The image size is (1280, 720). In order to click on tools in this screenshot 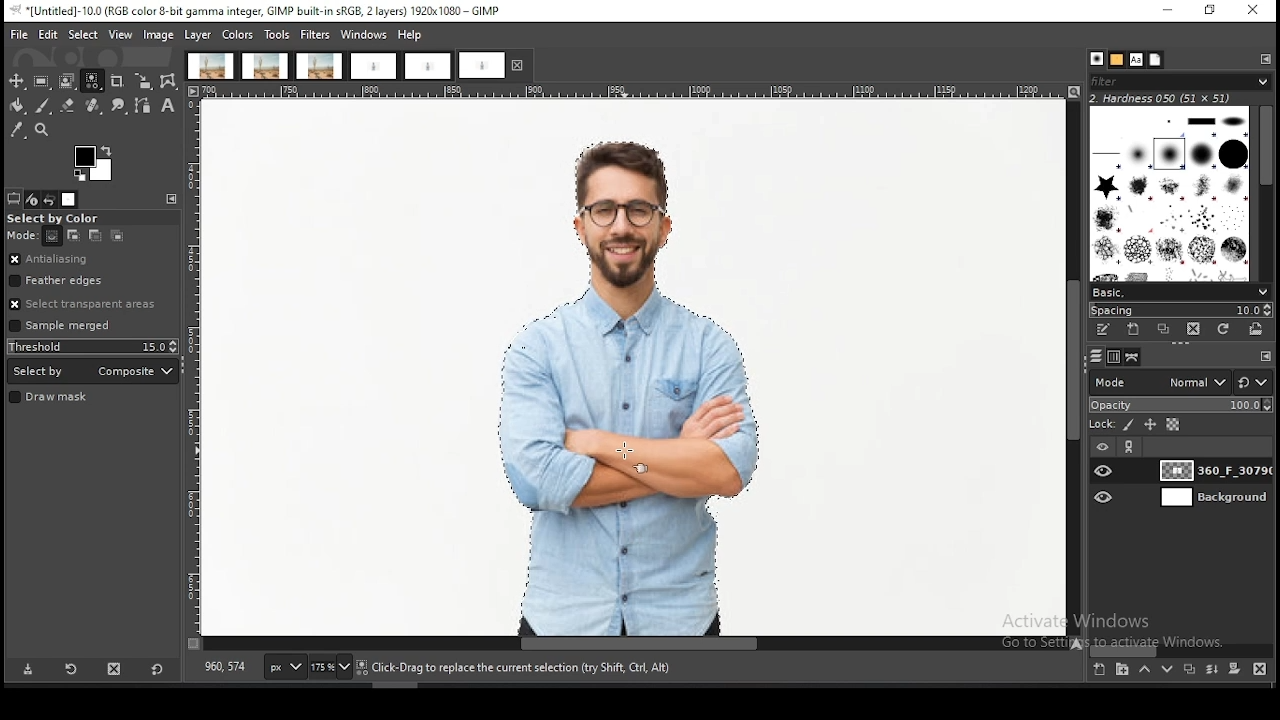, I will do `click(277, 36)`.